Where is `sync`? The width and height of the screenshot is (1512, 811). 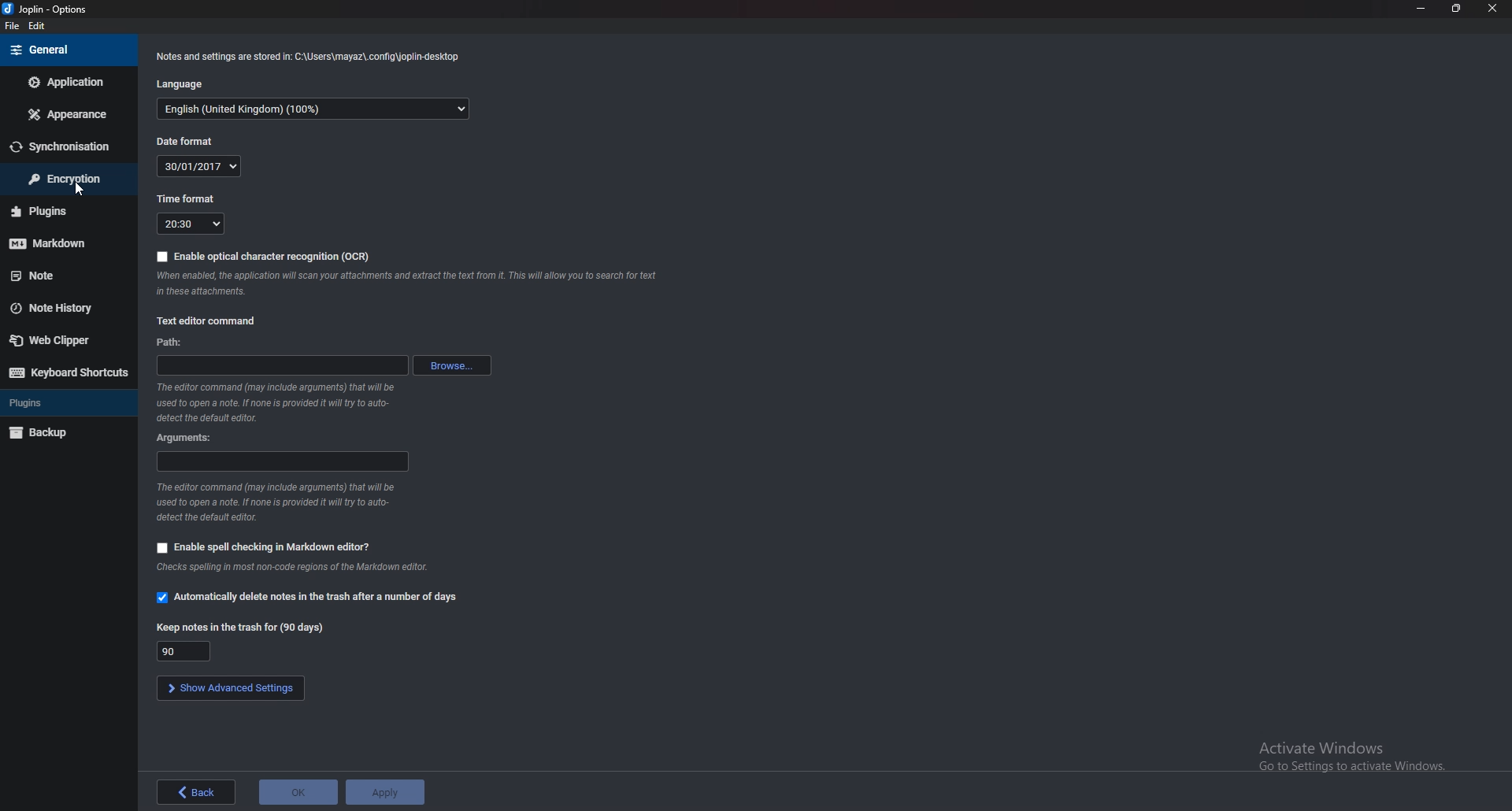 sync is located at coordinates (66, 147).